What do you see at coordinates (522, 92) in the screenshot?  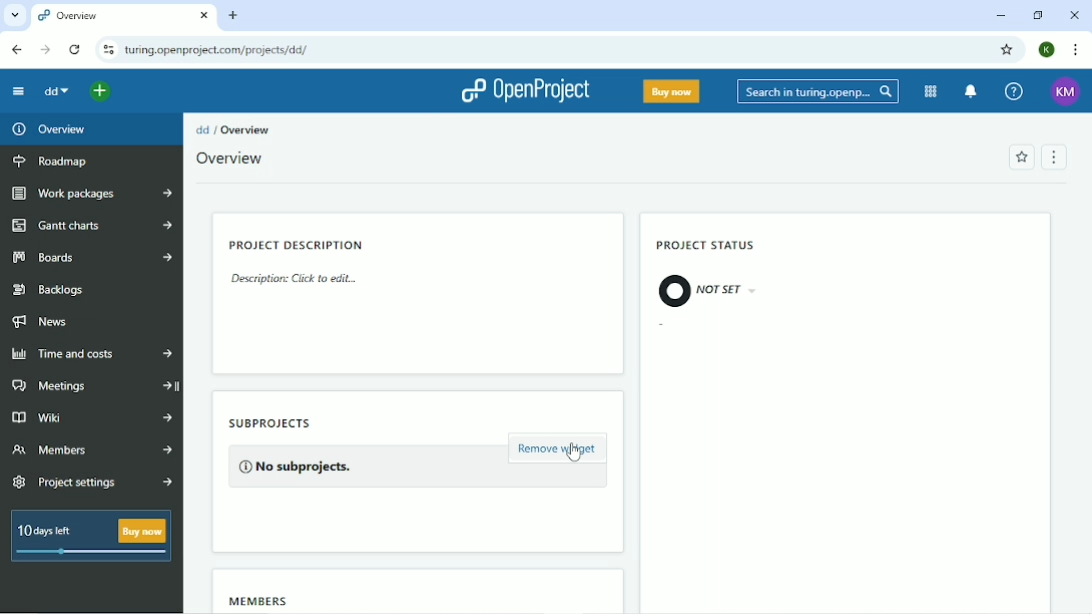 I see `OpenProject` at bounding box center [522, 92].